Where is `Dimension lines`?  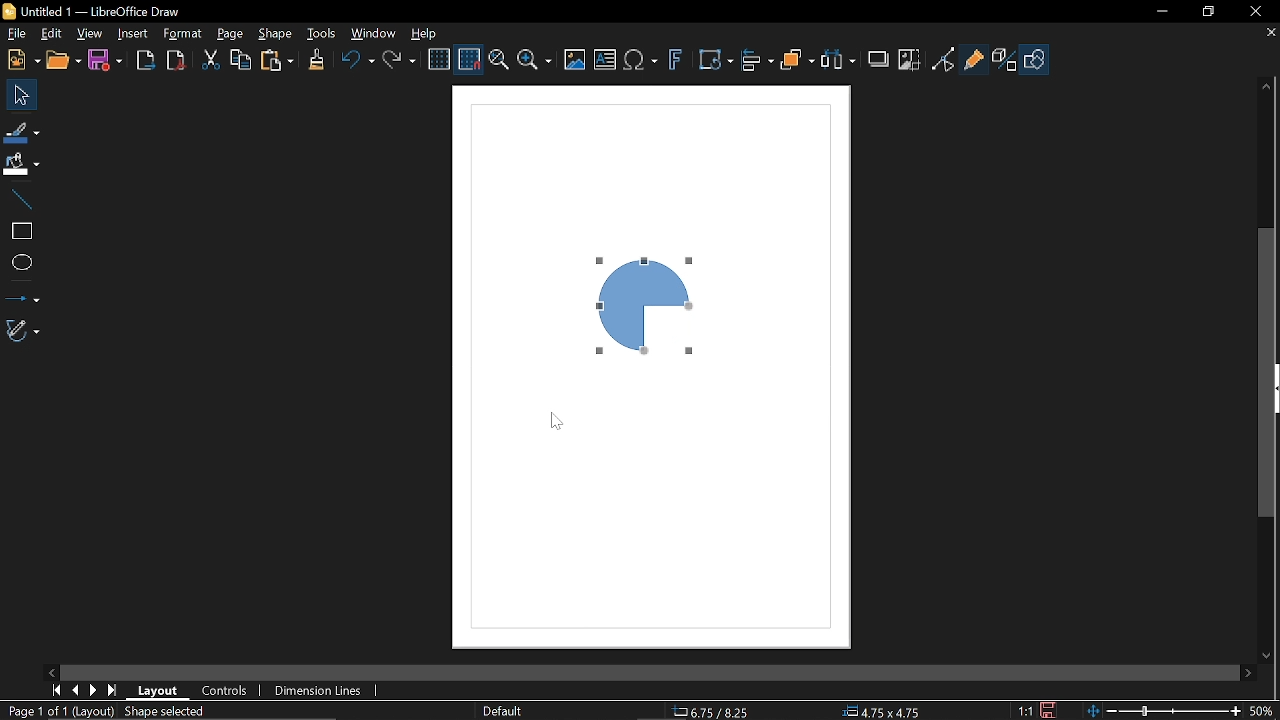
Dimension lines is located at coordinates (320, 688).